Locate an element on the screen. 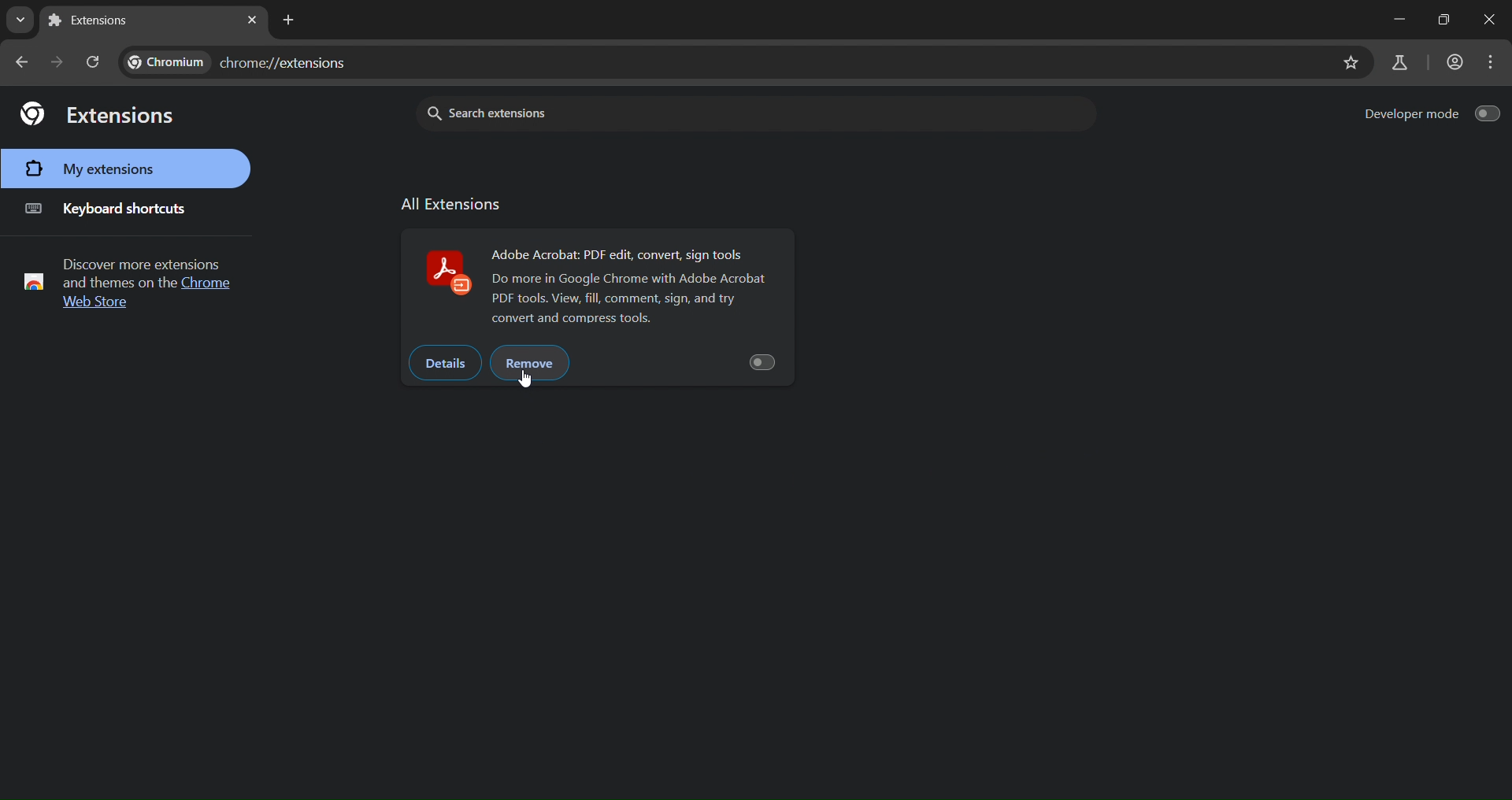  remove is located at coordinates (529, 361).